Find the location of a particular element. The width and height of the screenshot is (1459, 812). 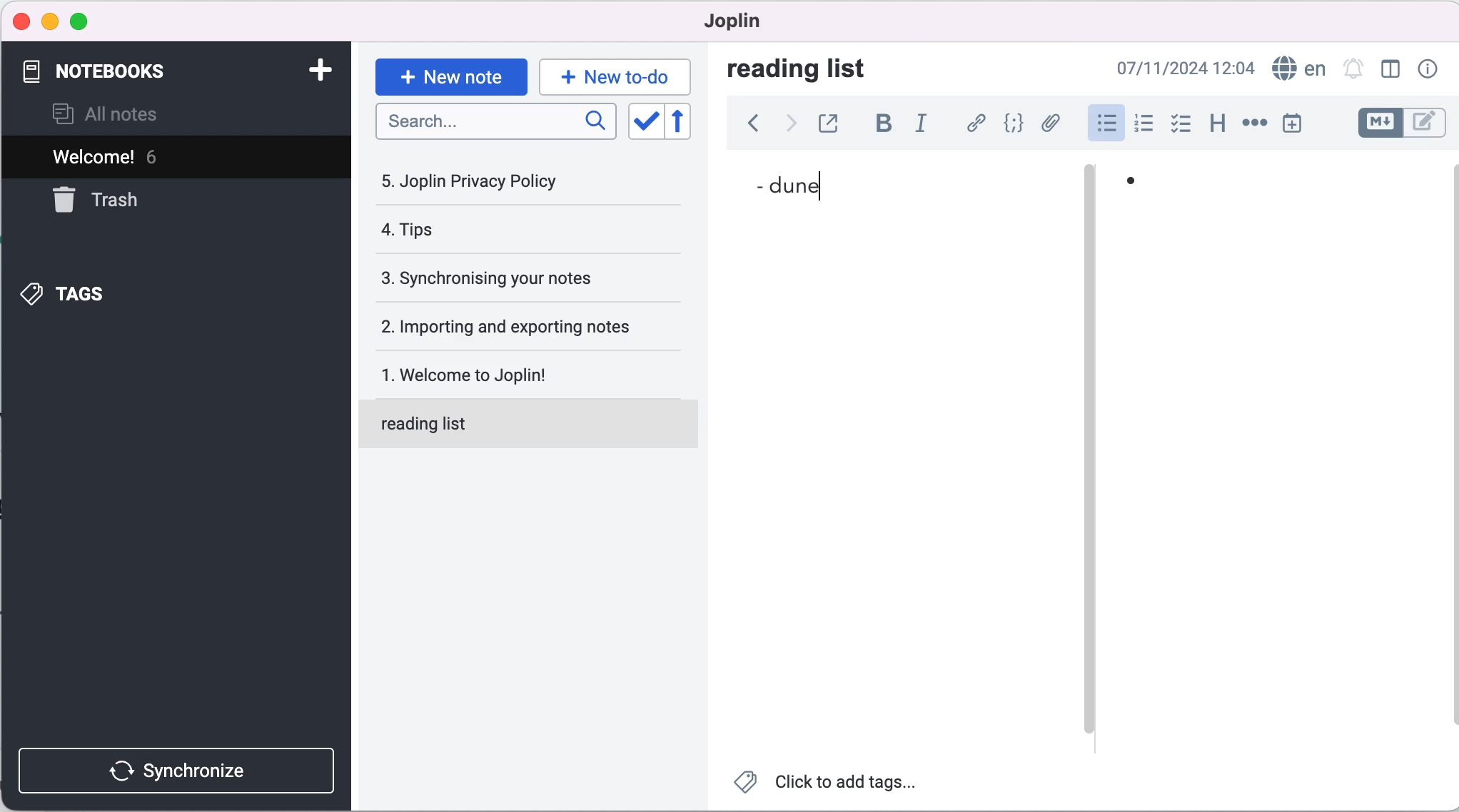

07/11/2024 09:02 is located at coordinates (1180, 68).